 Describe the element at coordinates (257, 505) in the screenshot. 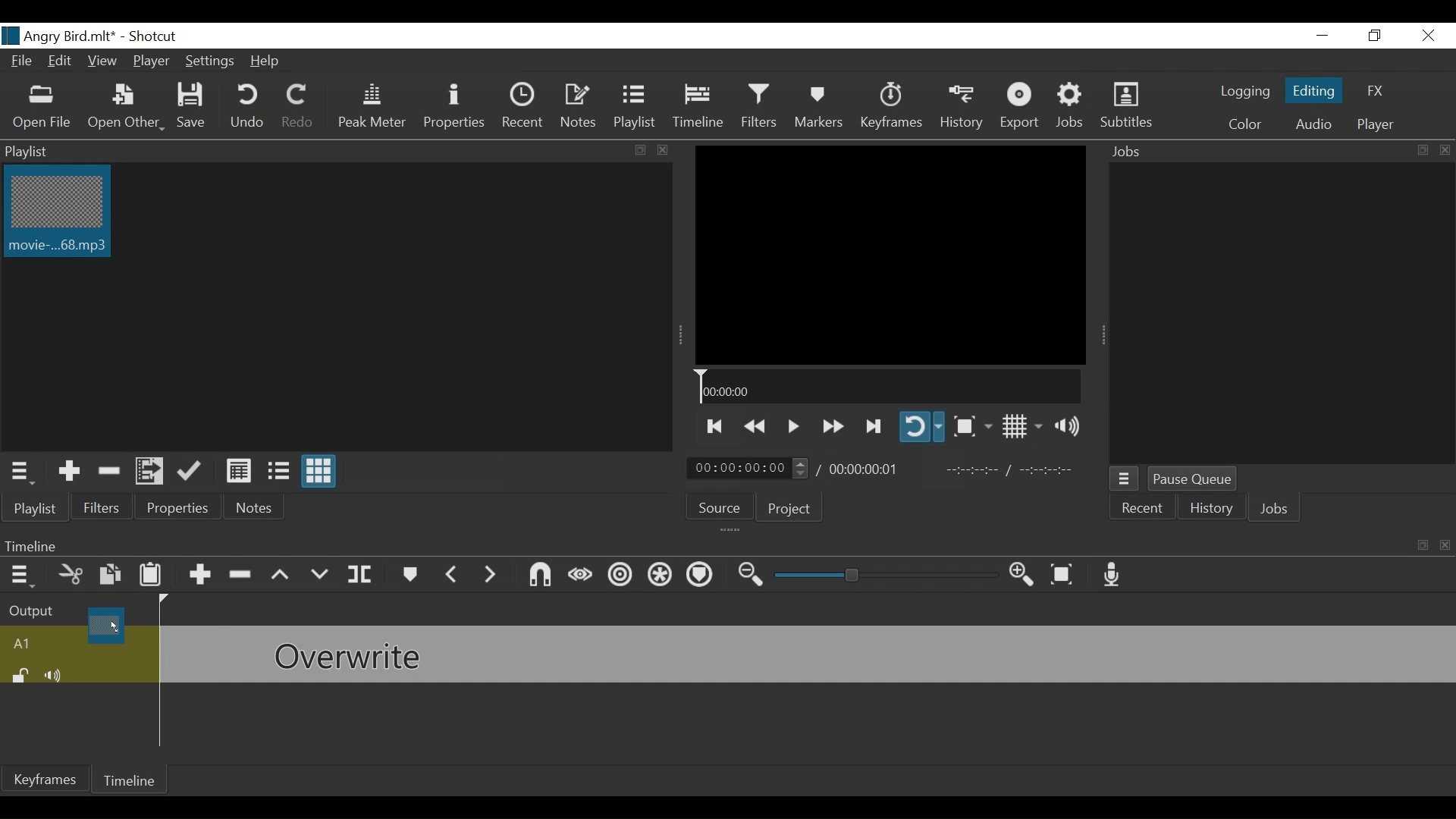

I see `Notes` at that location.